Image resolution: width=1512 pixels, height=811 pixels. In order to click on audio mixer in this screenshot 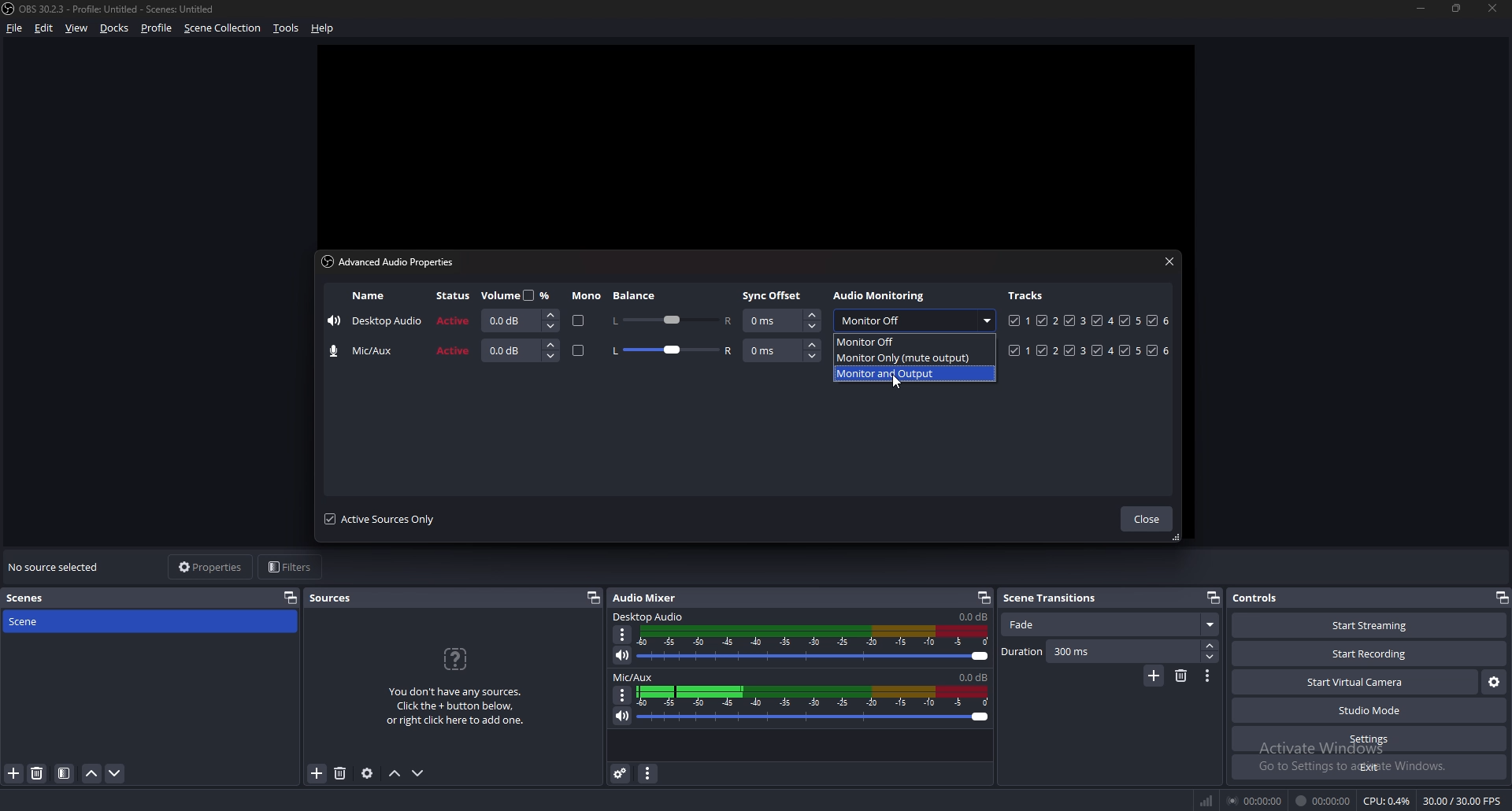, I will do `click(648, 598)`.